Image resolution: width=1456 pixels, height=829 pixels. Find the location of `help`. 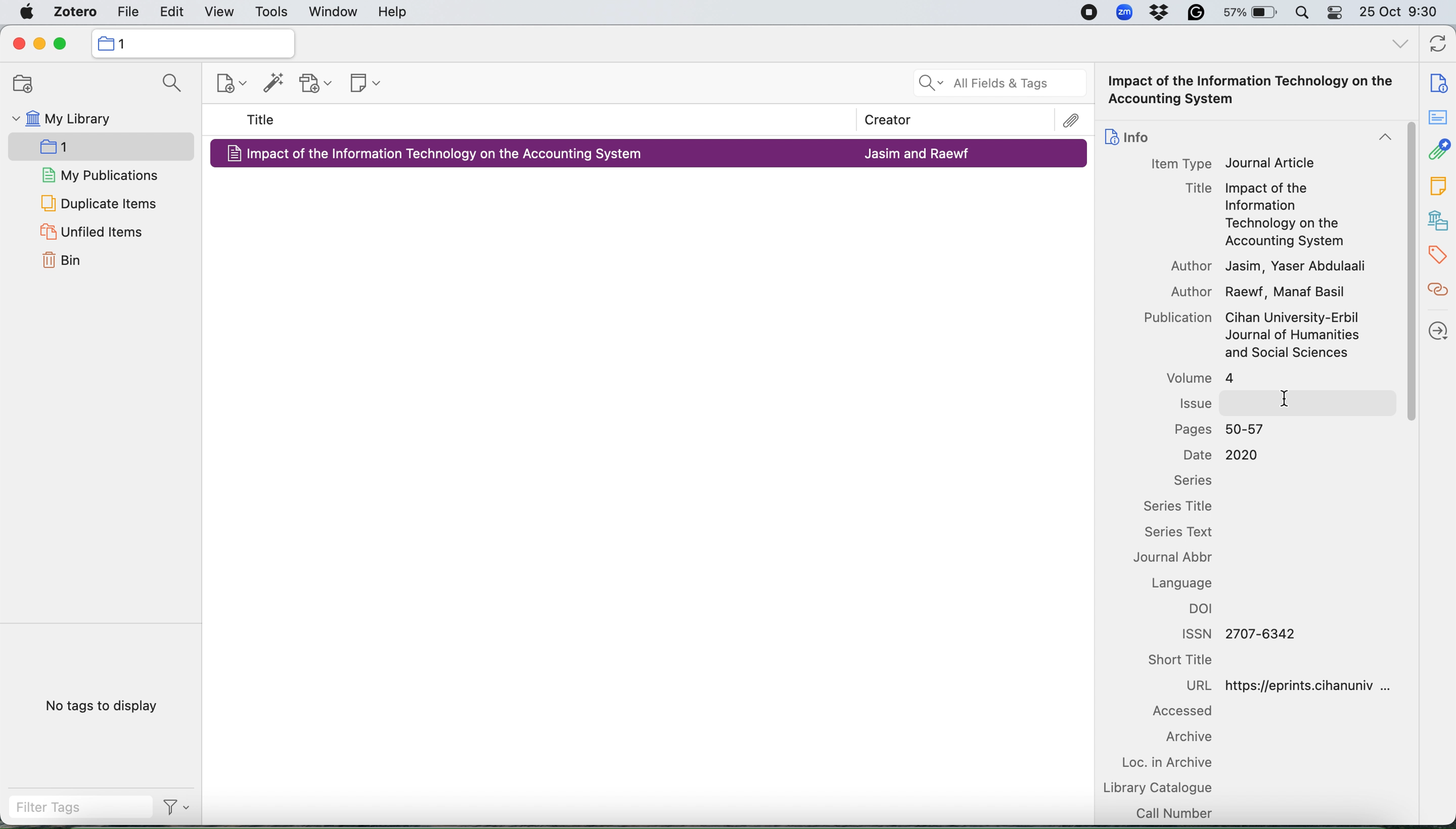

help is located at coordinates (396, 12).